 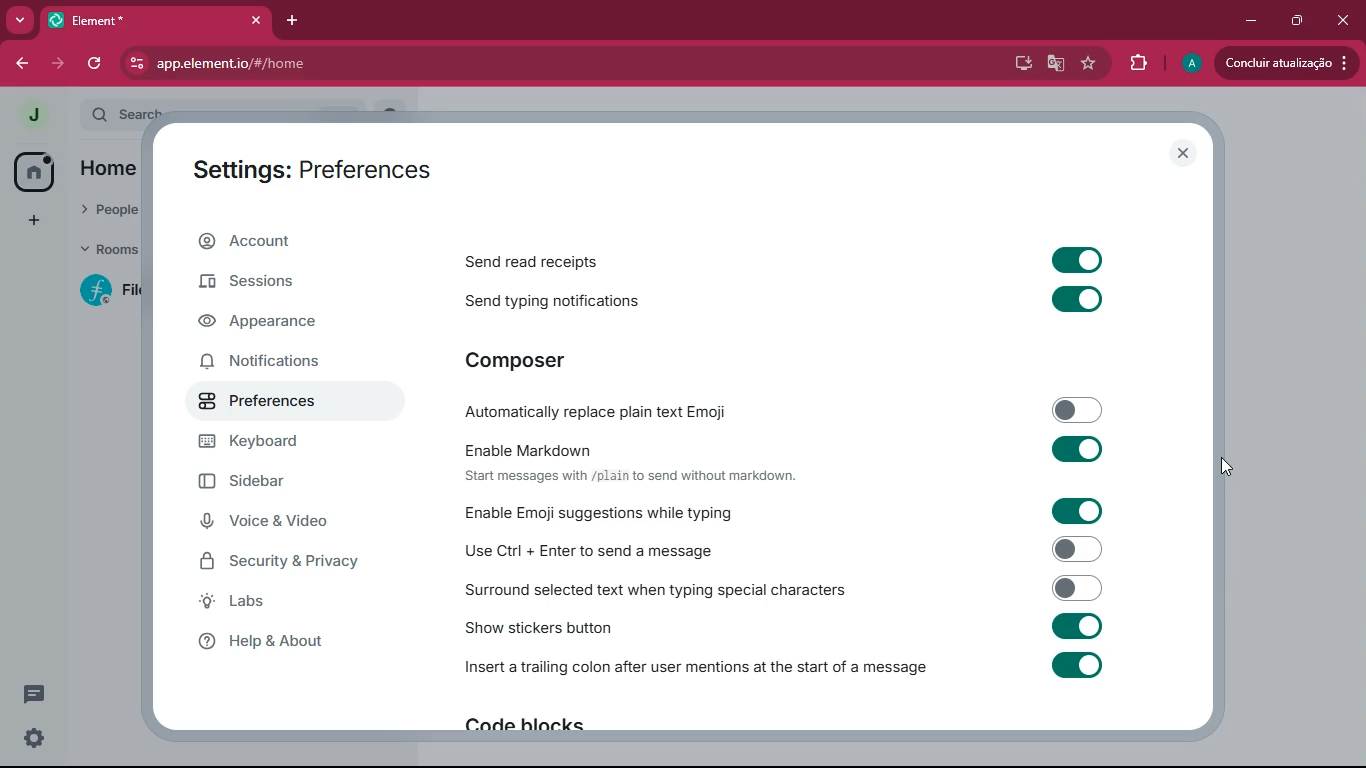 I want to click on refresh, so click(x=95, y=64).